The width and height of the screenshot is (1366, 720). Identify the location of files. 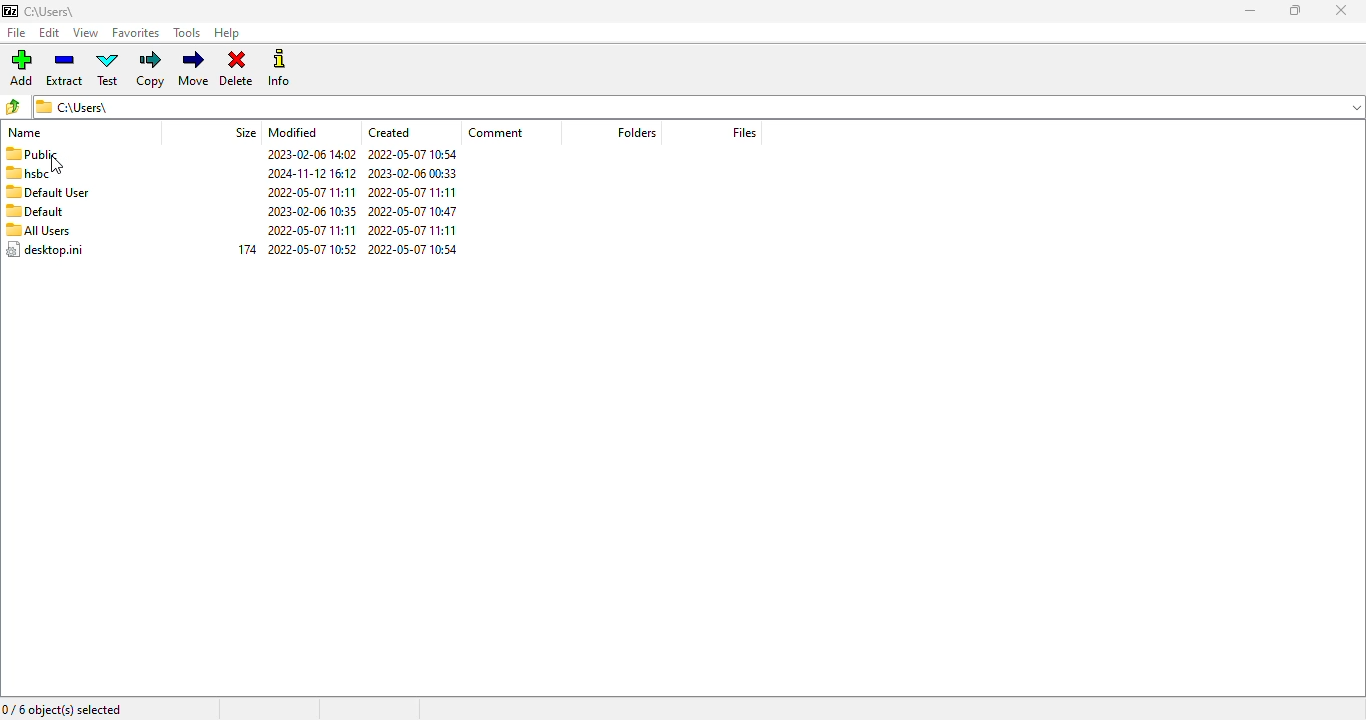
(744, 132).